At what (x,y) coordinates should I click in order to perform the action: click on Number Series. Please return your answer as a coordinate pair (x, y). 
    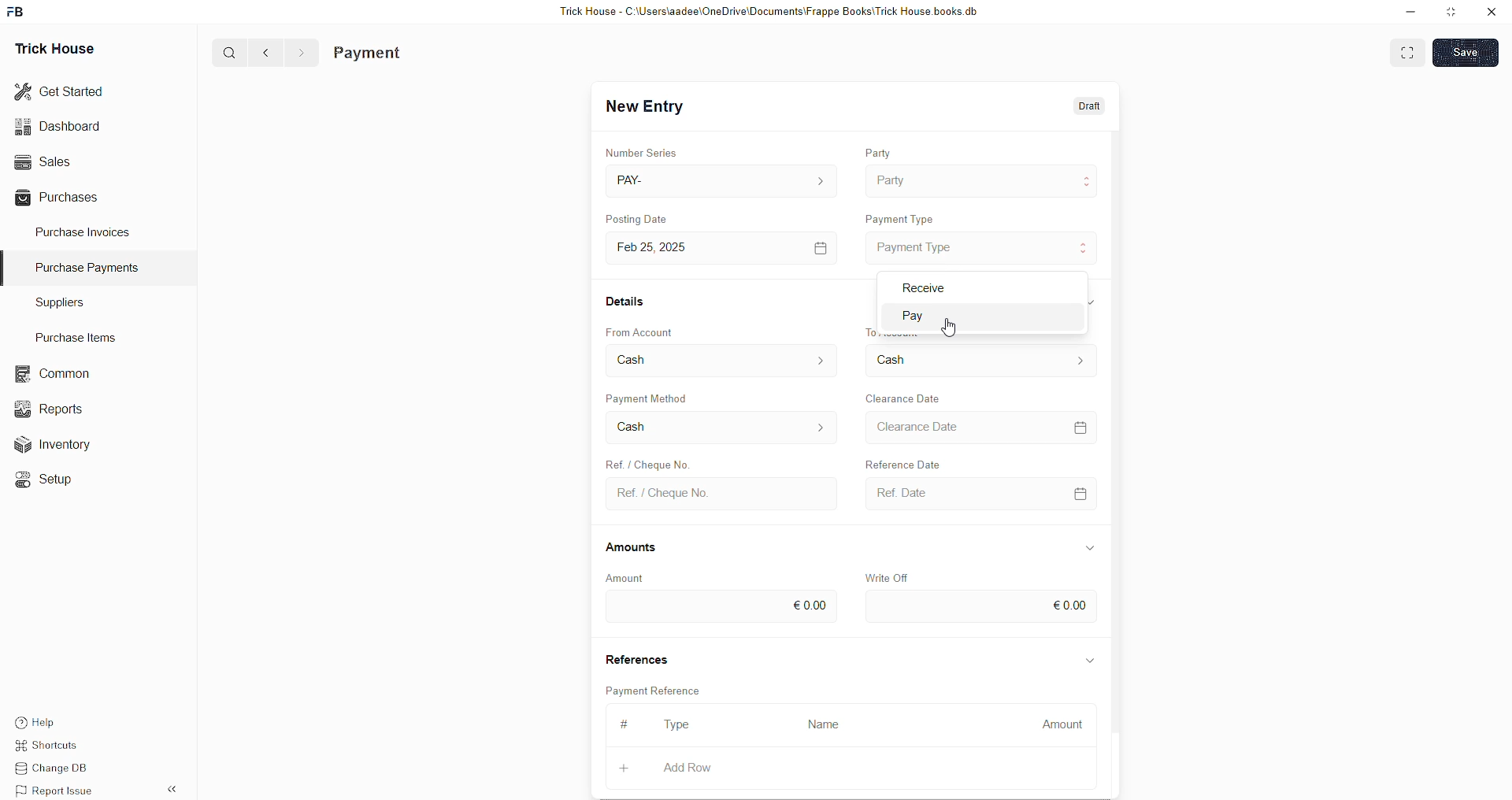
    Looking at the image, I should click on (645, 150).